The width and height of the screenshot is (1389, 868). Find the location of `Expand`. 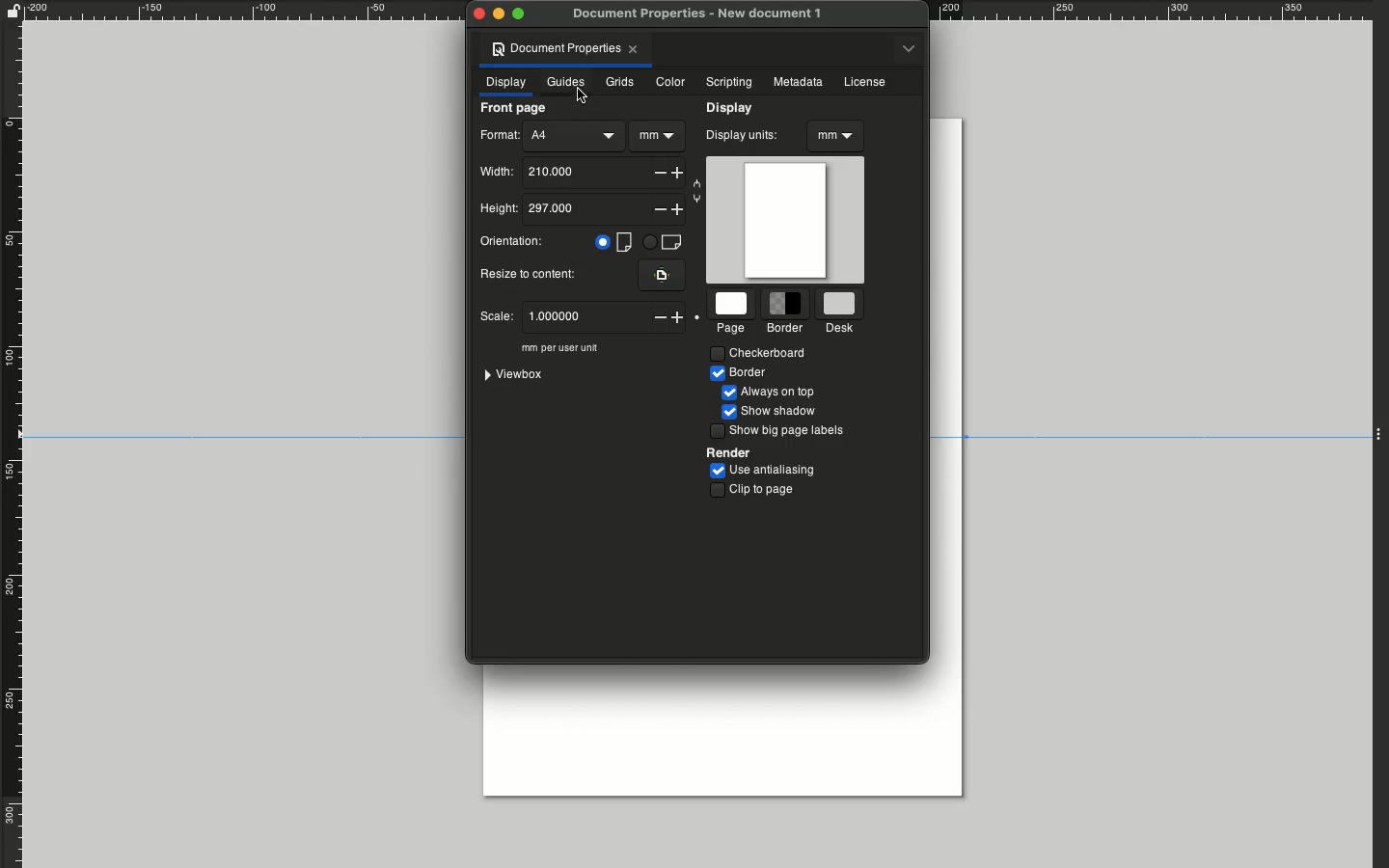

Expand is located at coordinates (1380, 432).